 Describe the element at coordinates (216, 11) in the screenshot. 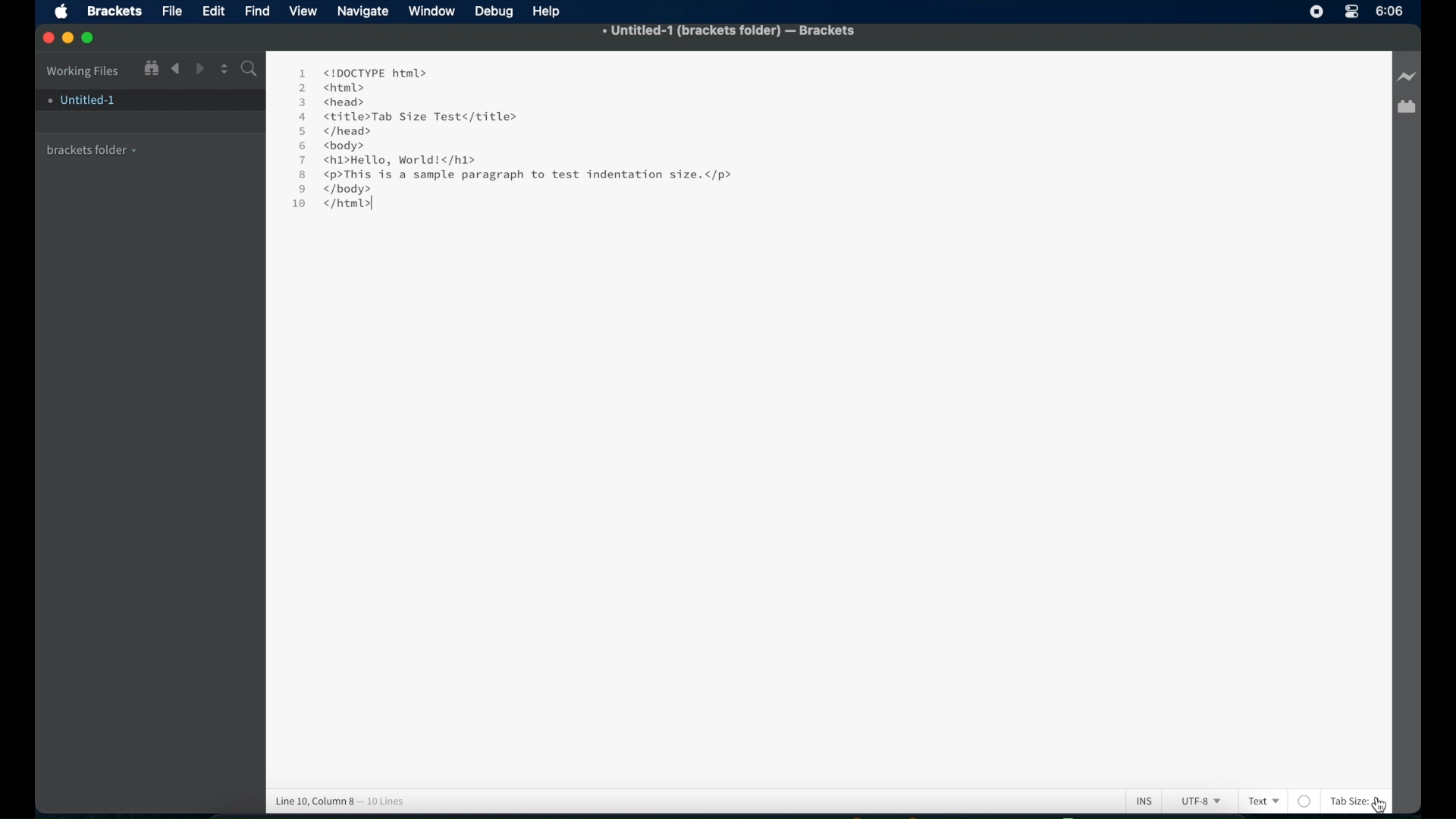

I see `Edit` at that location.